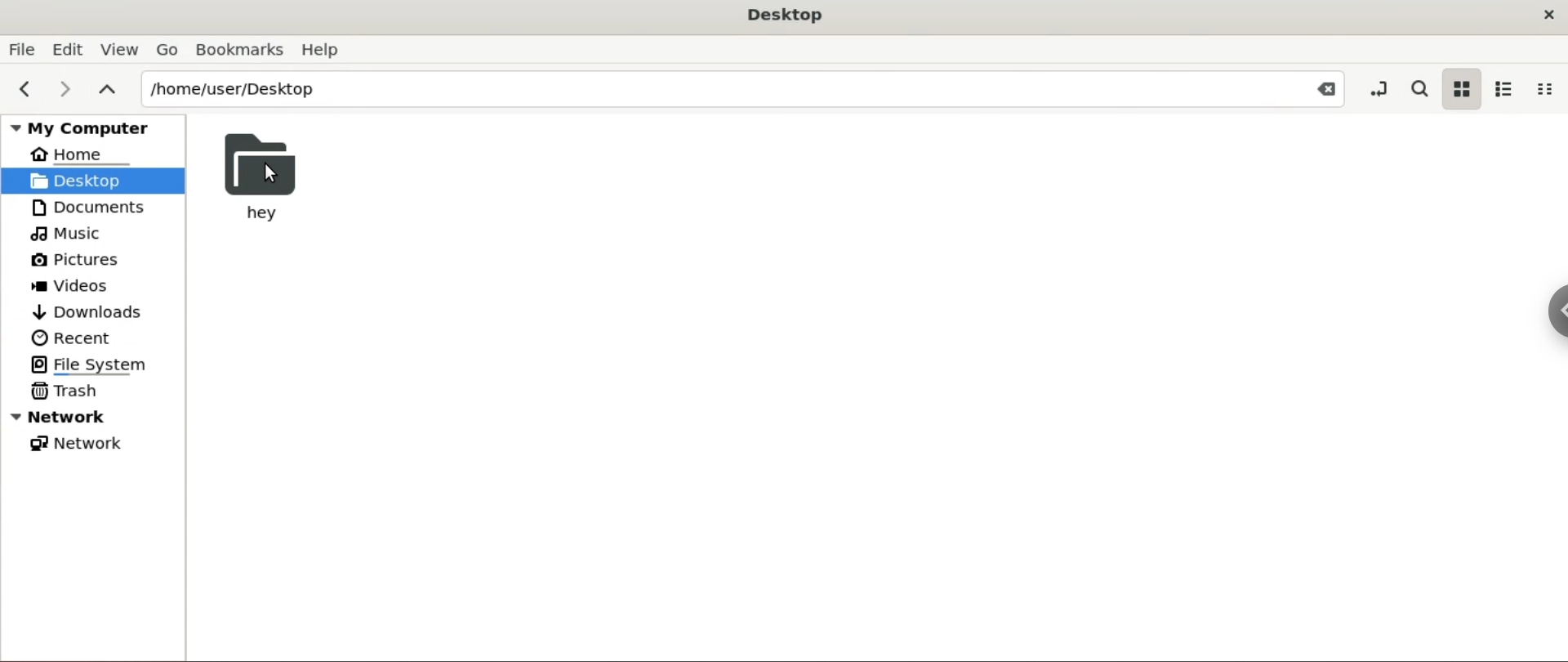 Image resolution: width=1568 pixels, height=662 pixels. Describe the element at coordinates (109, 91) in the screenshot. I see `parent folders` at that location.